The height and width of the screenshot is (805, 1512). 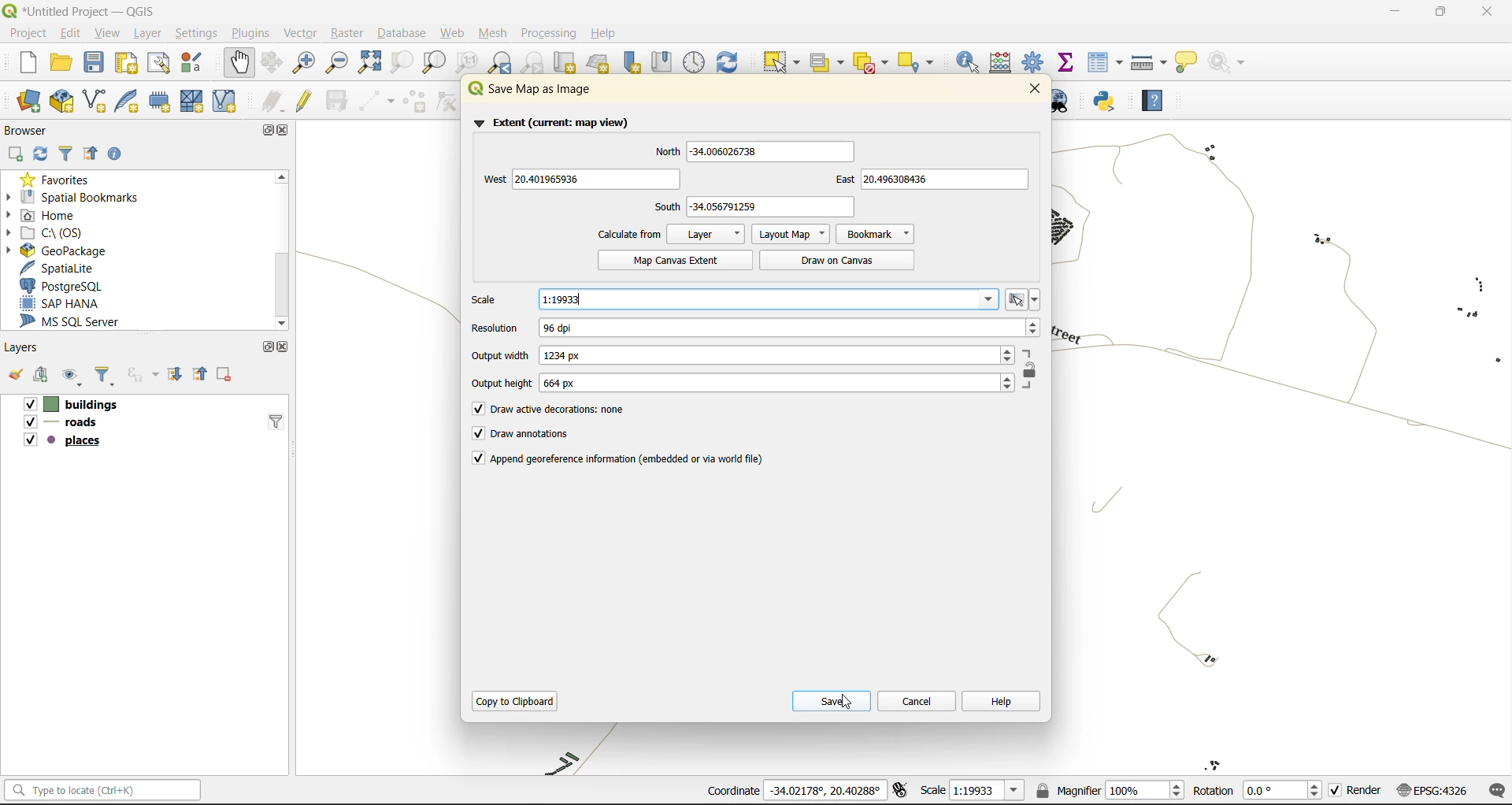 What do you see at coordinates (161, 102) in the screenshot?
I see `temporary scratch layer` at bounding box center [161, 102].